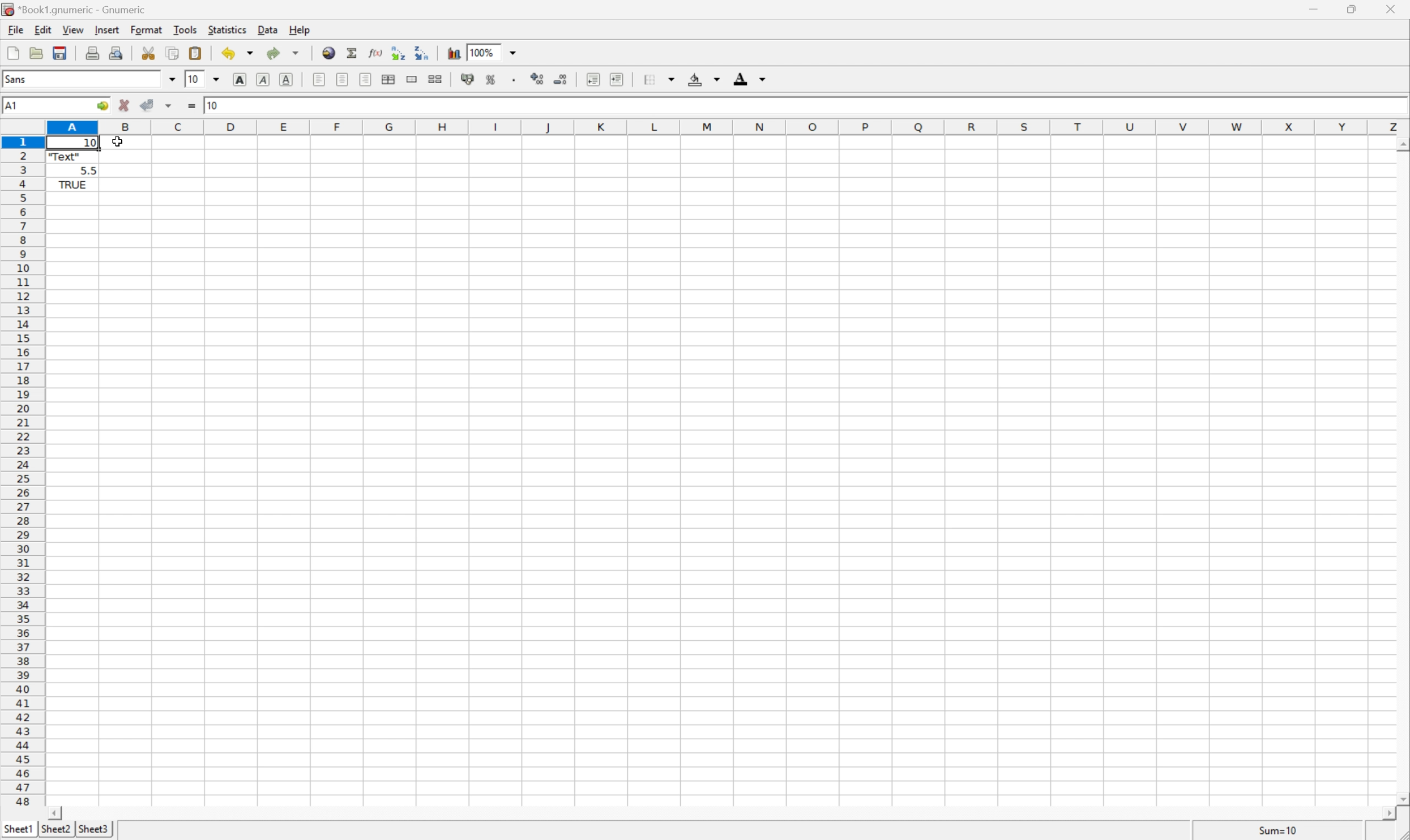  What do you see at coordinates (413, 79) in the screenshot?
I see `Merge a range of cells` at bounding box center [413, 79].